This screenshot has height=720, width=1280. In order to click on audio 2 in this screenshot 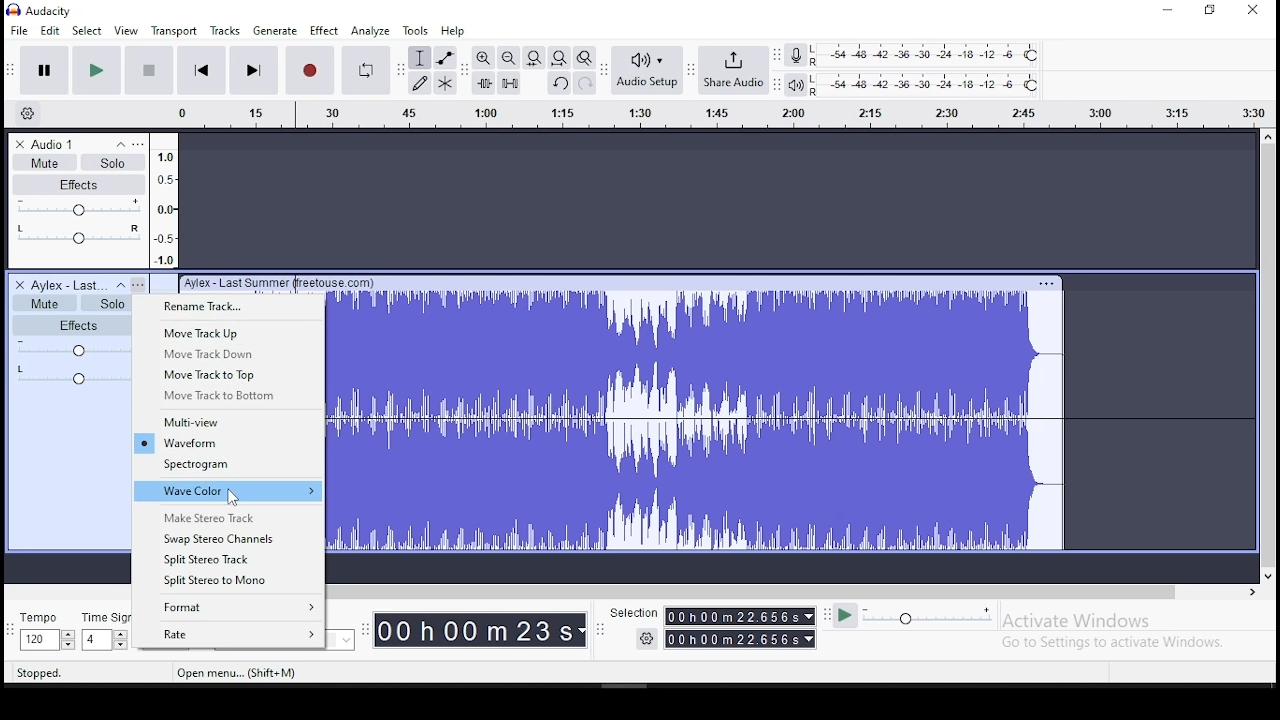, I will do `click(68, 285)`.